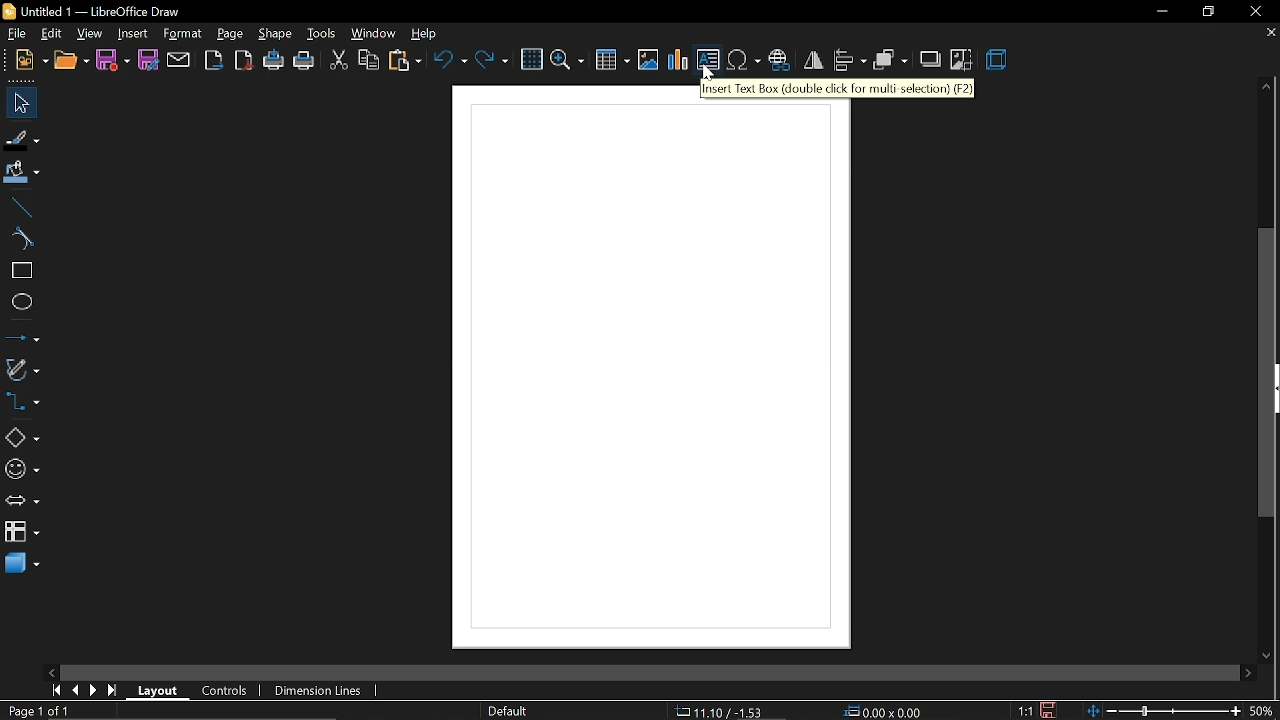 The height and width of the screenshot is (720, 1280). What do you see at coordinates (374, 34) in the screenshot?
I see `window` at bounding box center [374, 34].